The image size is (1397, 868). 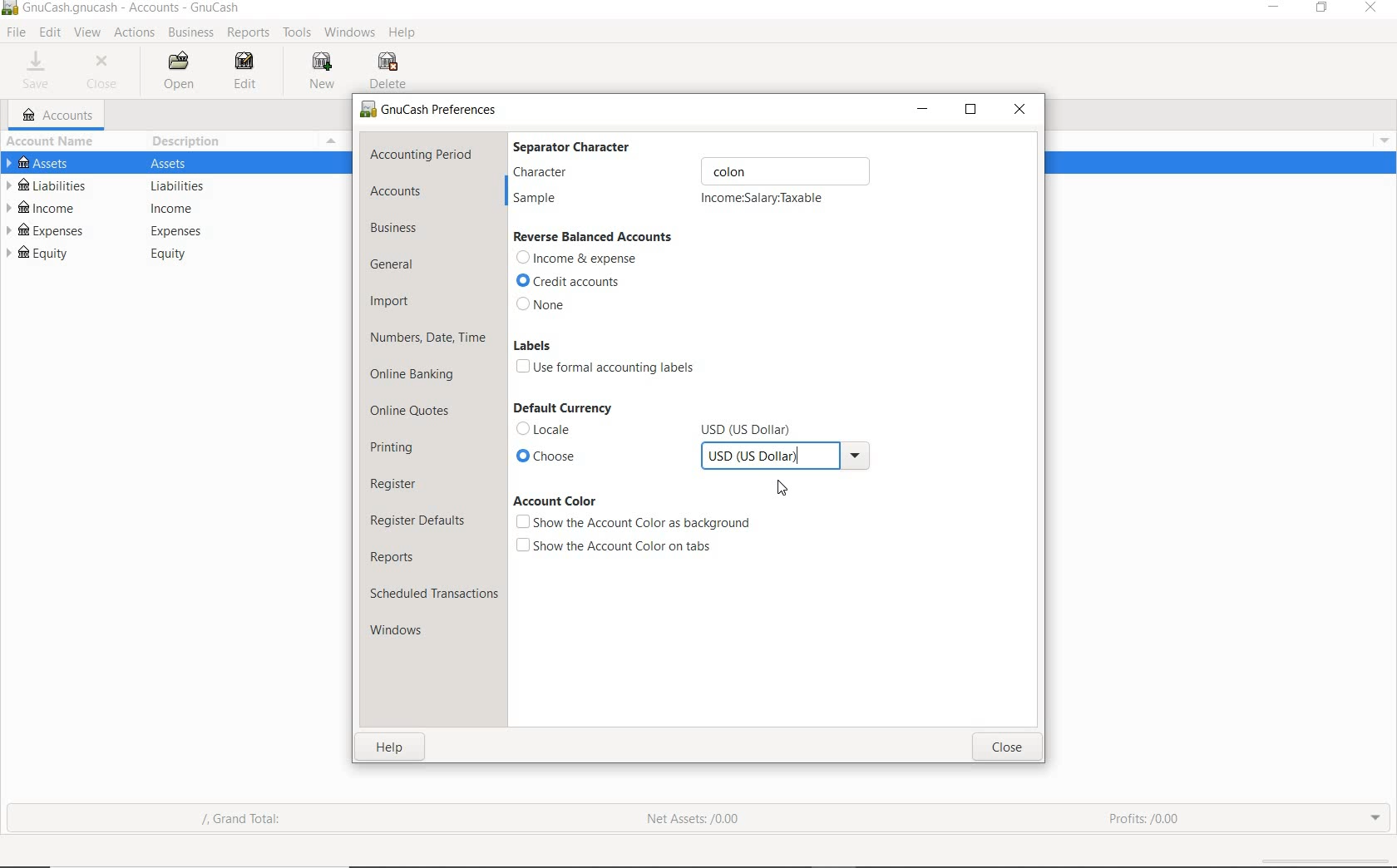 I want to click on system name, so click(x=132, y=9).